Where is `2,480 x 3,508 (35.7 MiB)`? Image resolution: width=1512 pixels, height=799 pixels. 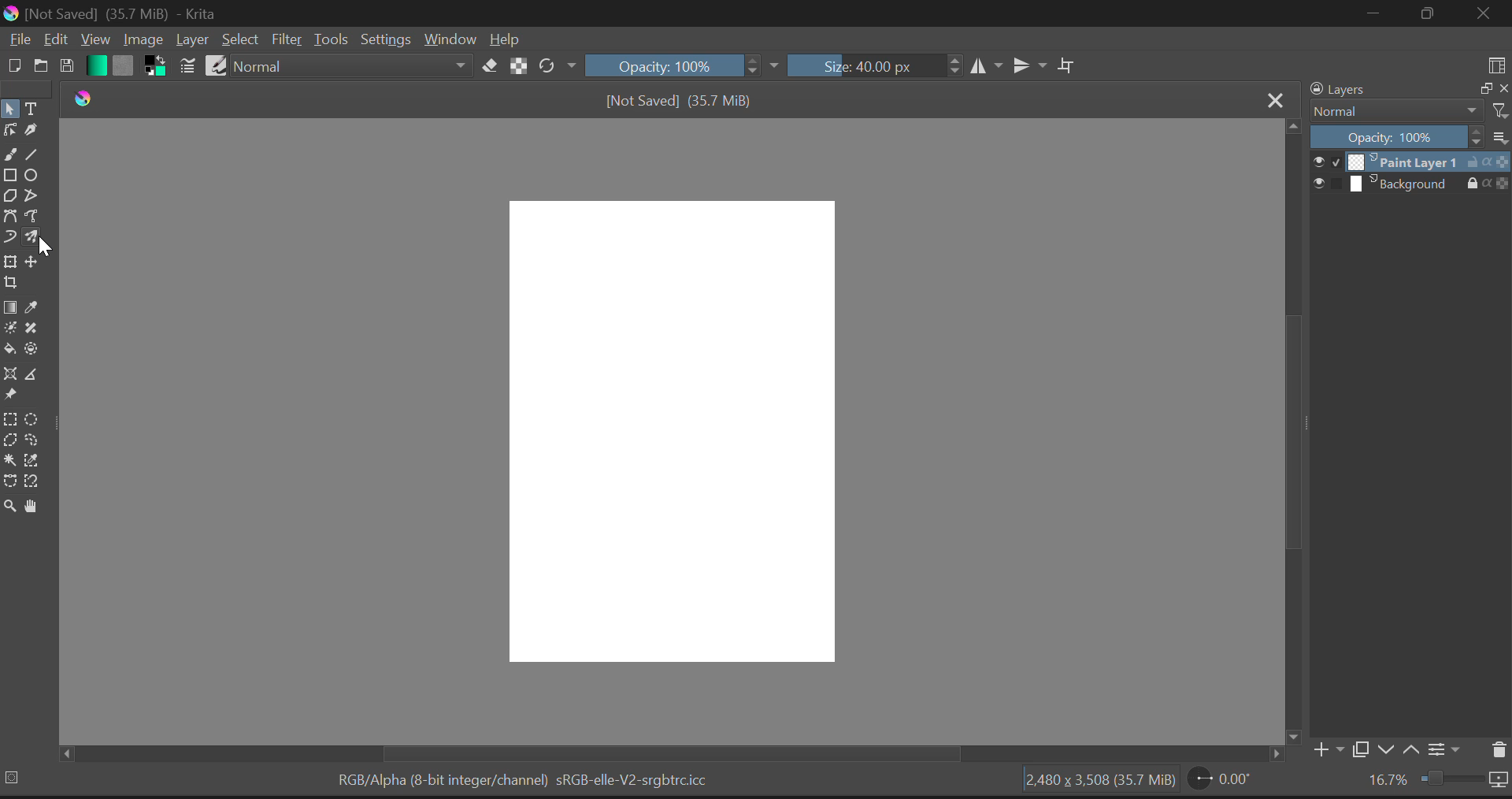 2,480 x 3,508 (35.7 MiB) is located at coordinates (1104, 782).